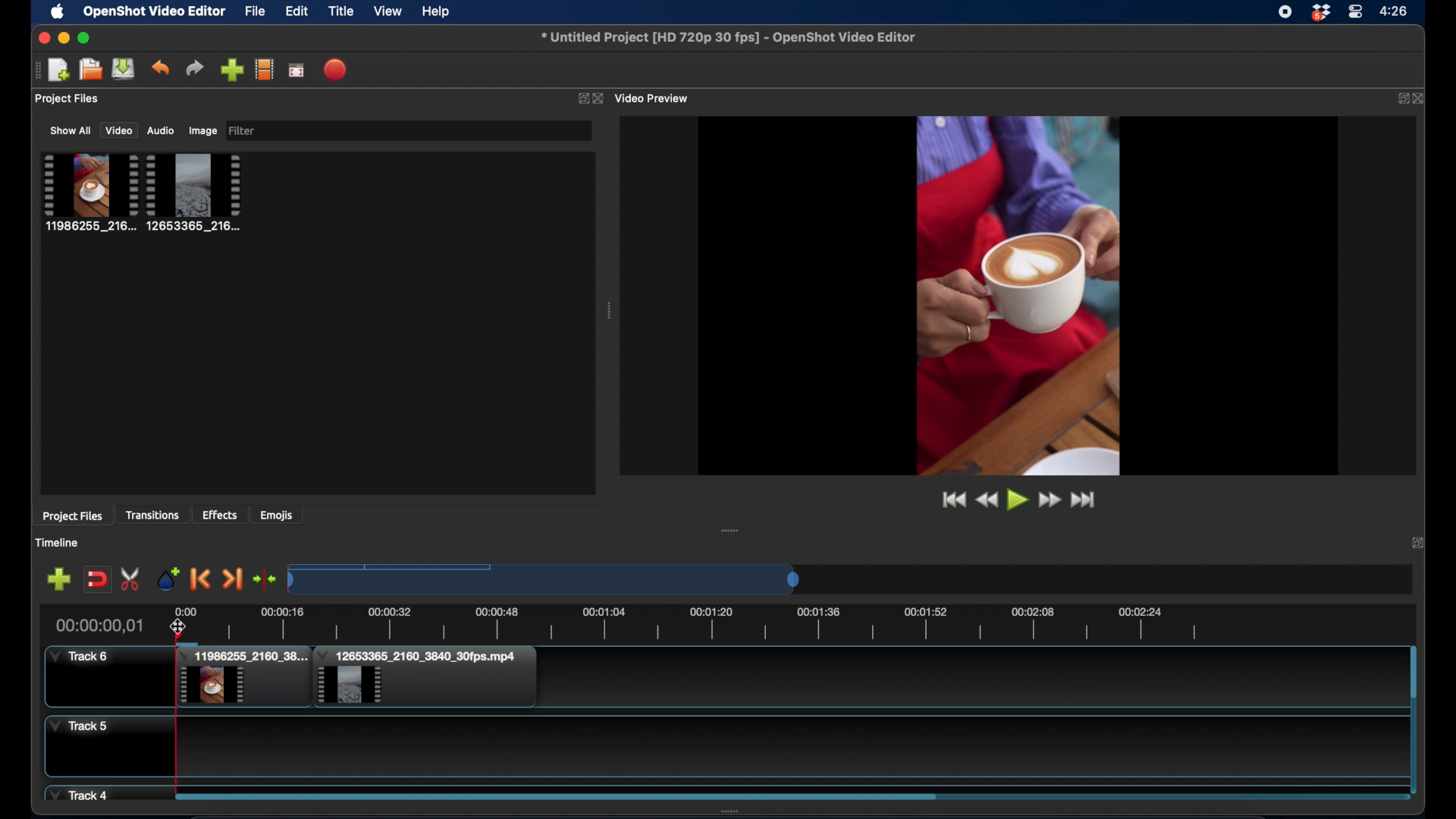 The image size is (1456, 819). What do you see at coordinates (80, 657) in the screenshot?
I see `track 6` at bounding box center [80, 657].